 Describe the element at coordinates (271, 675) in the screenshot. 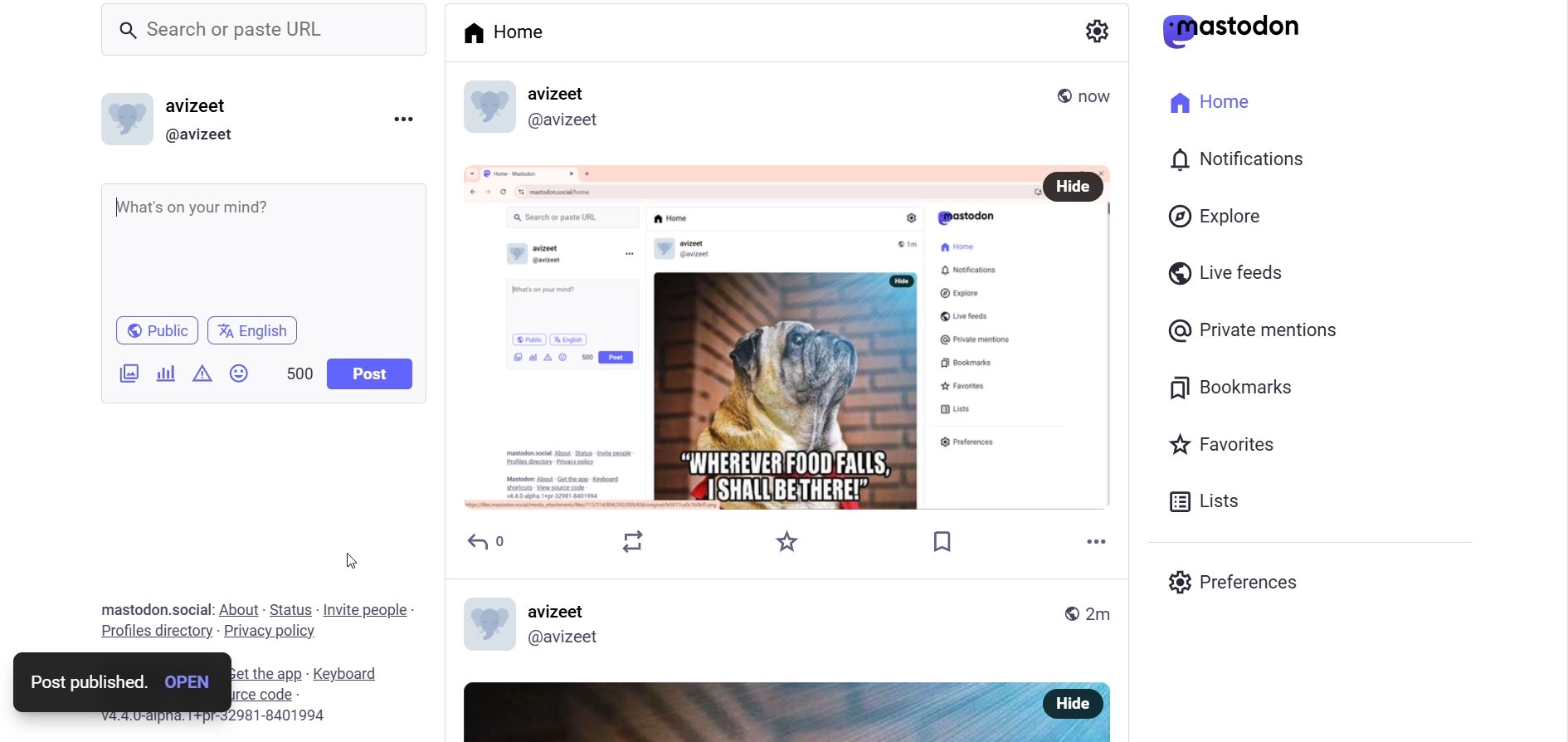

I see `shortcut` at that location.